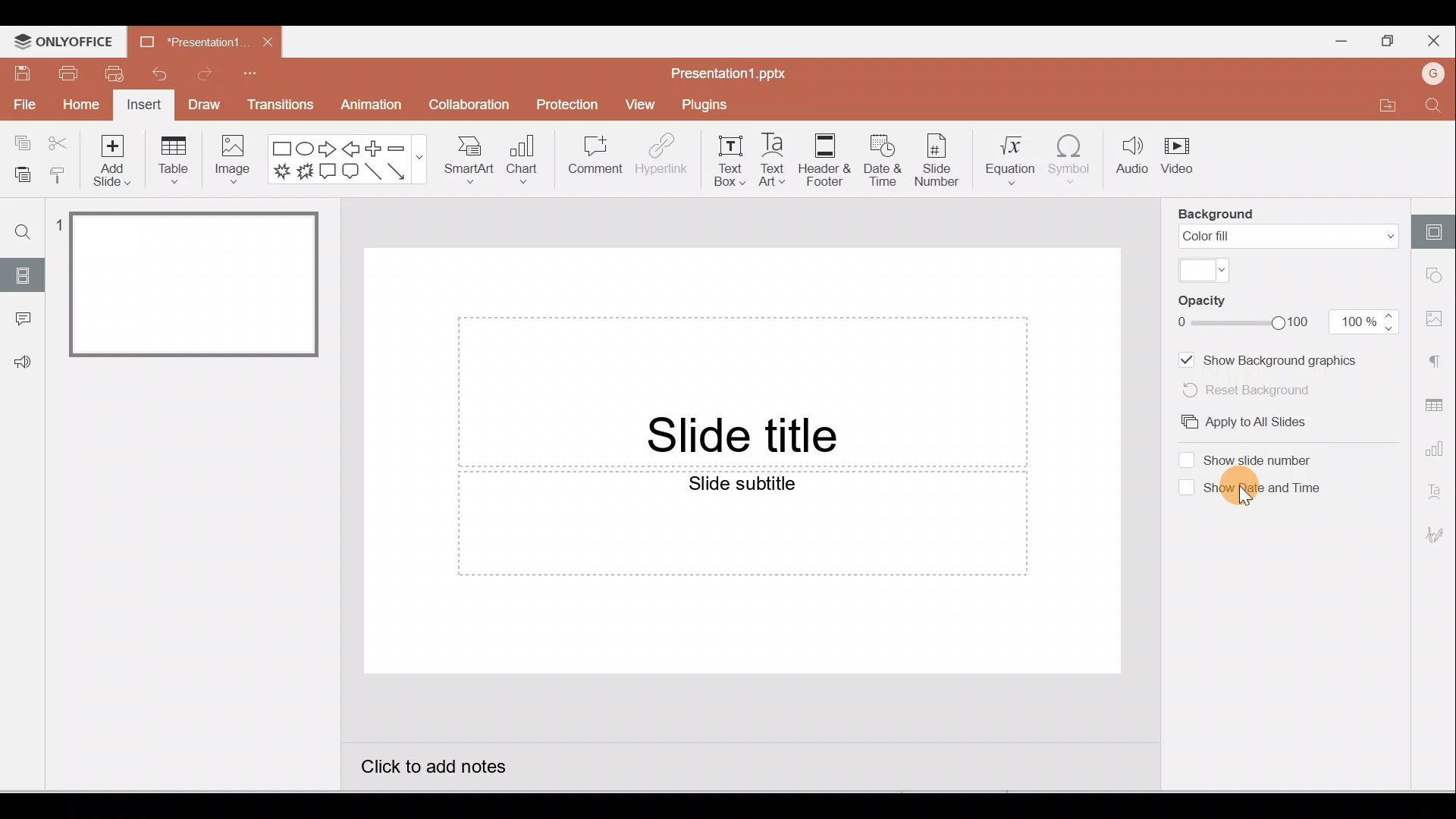 The image size is (1456, 819). I want to click on Copy, so click(19, 141).